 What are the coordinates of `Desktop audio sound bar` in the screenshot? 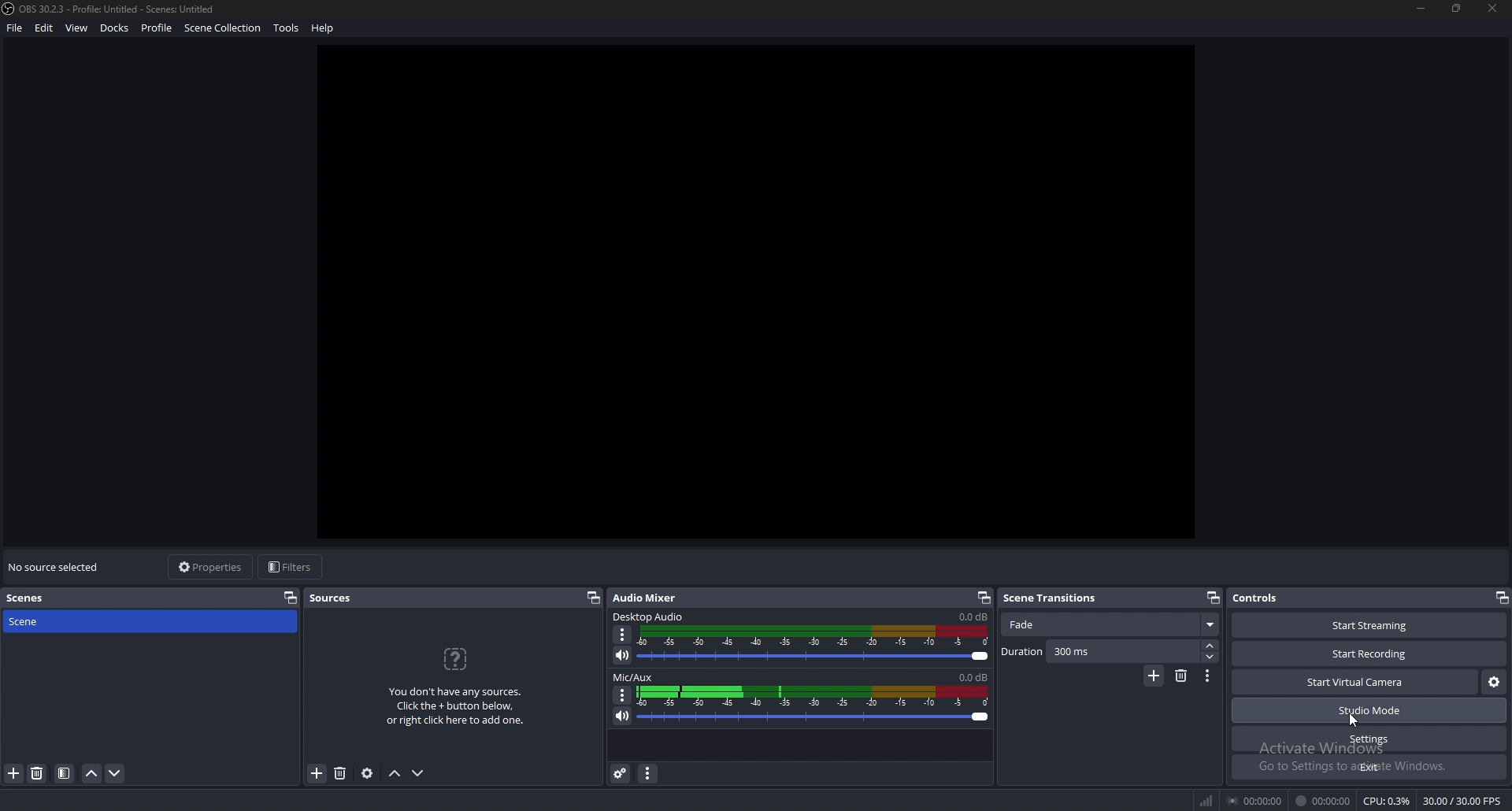 It's located at (817, 646).